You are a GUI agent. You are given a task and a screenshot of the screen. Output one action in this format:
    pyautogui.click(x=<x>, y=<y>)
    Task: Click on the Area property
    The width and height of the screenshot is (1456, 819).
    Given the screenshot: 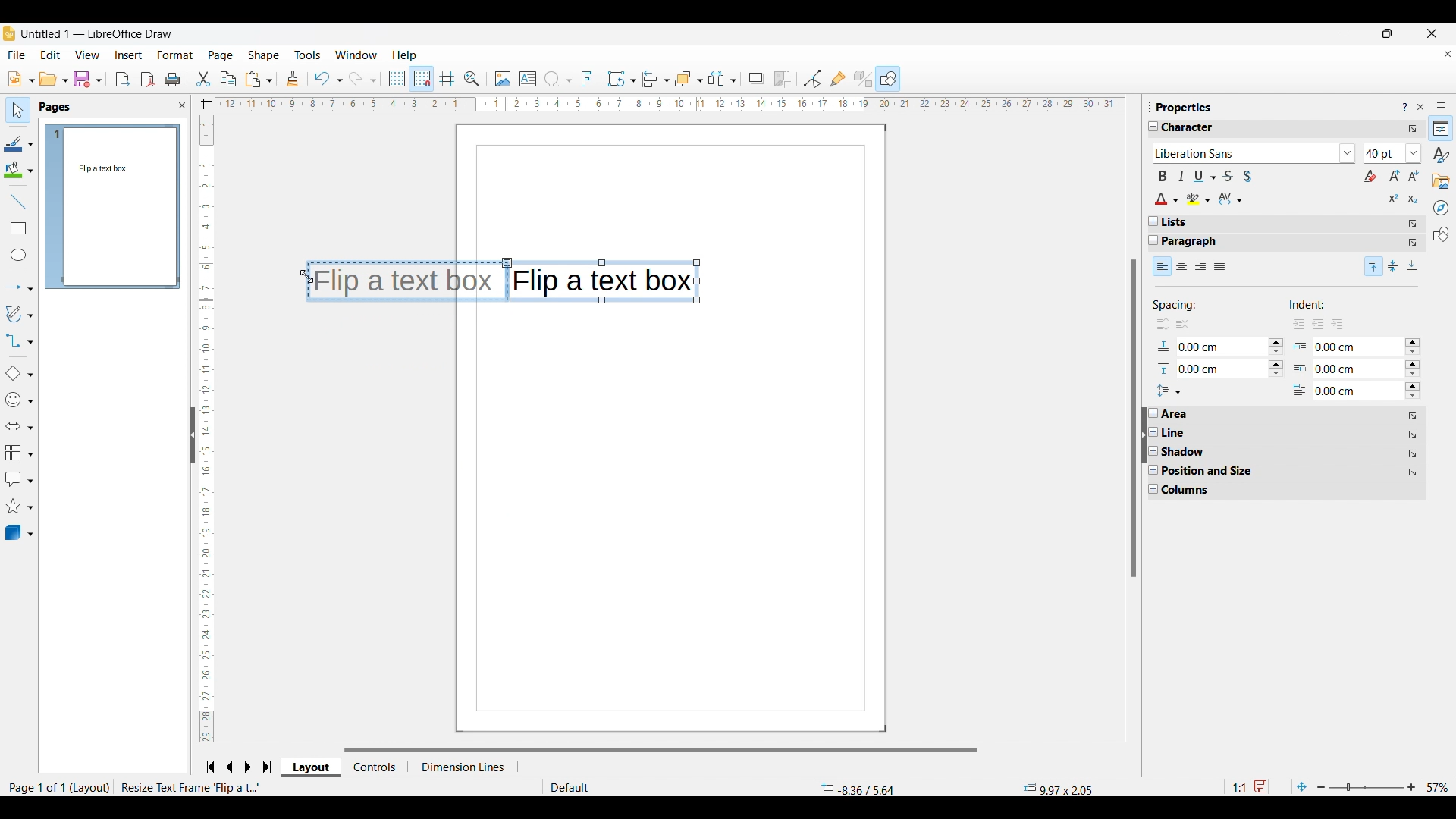 What is the action you would take?
    pyautogui.click(x=1178, y=414)
    